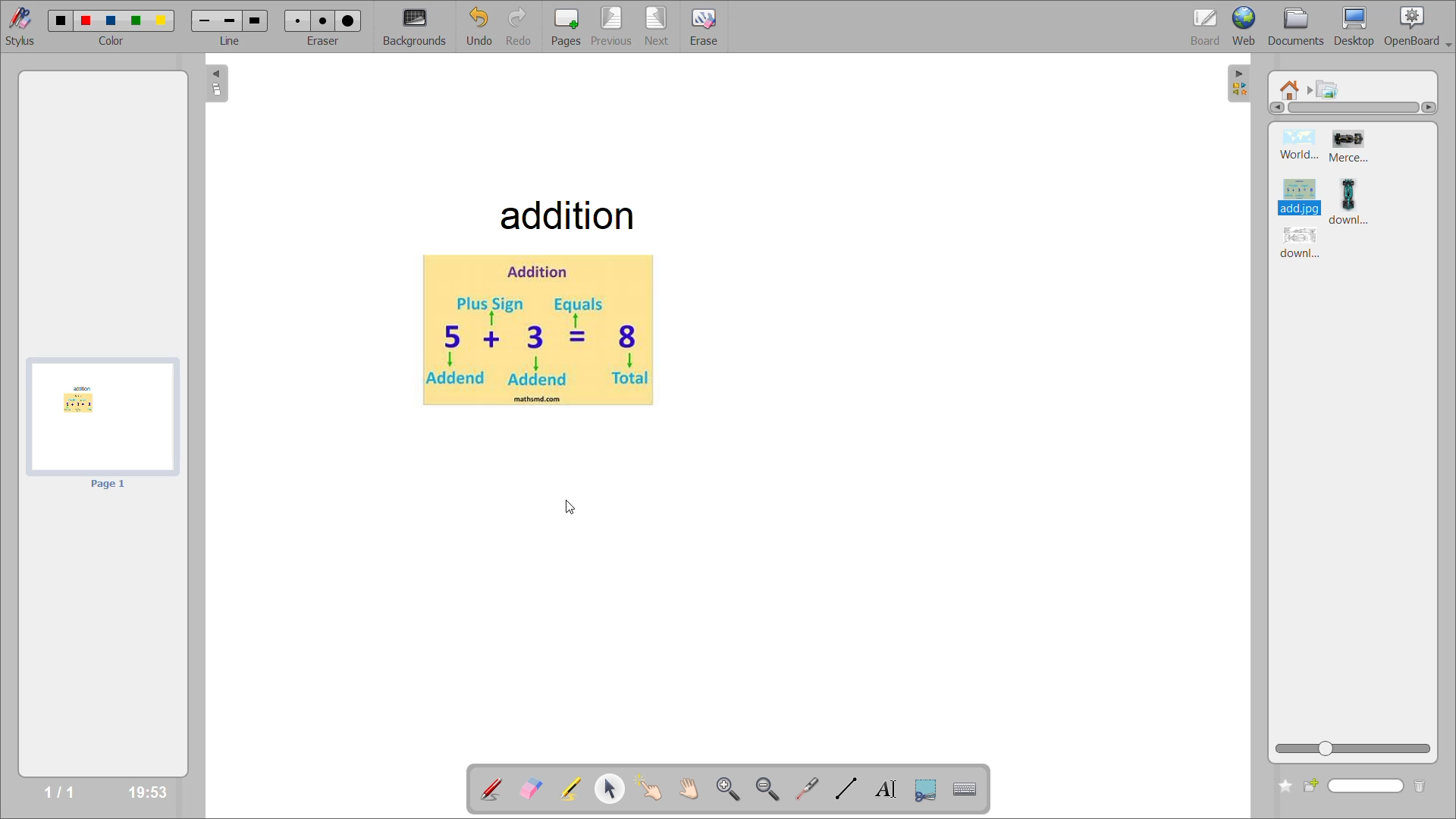 Image resolution: width=1456 pixels, height=819 pixels. I want to click on page no/total pages, so click(59, 790).